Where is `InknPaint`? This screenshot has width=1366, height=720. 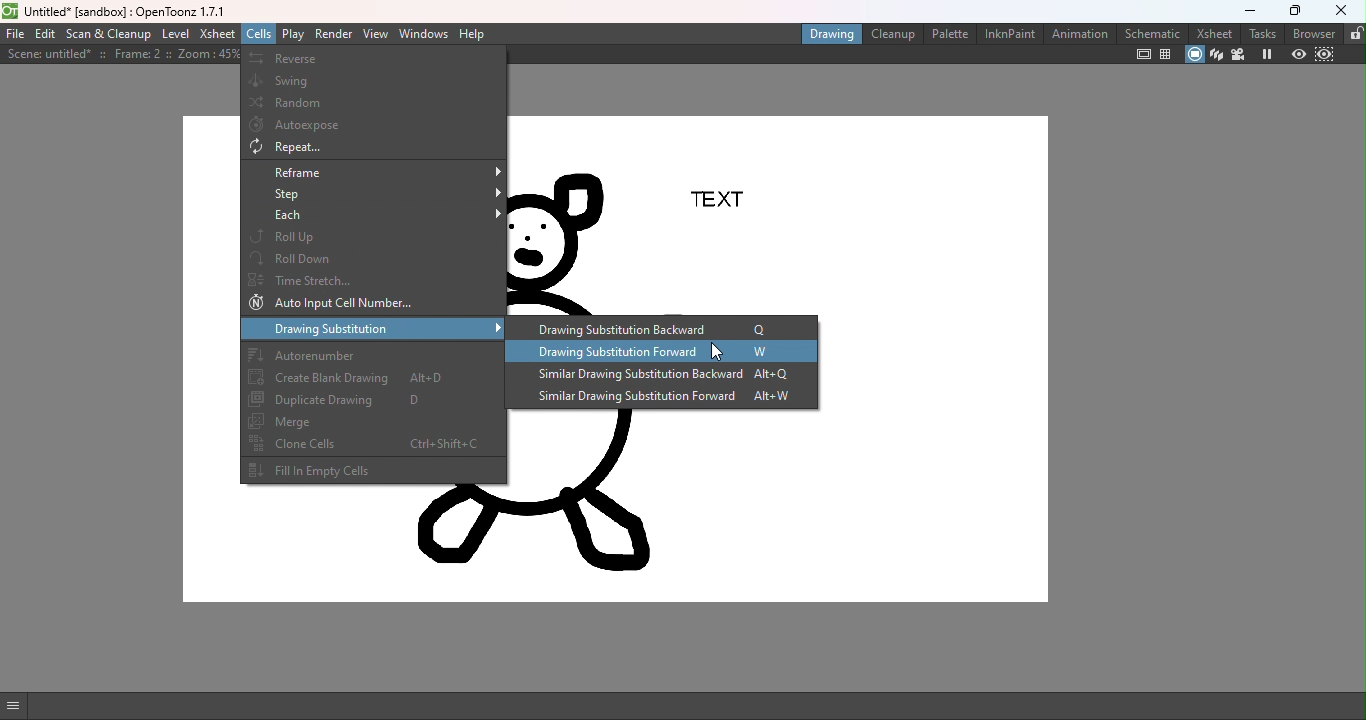
InknPaint is located at coordinates (1007, 35).